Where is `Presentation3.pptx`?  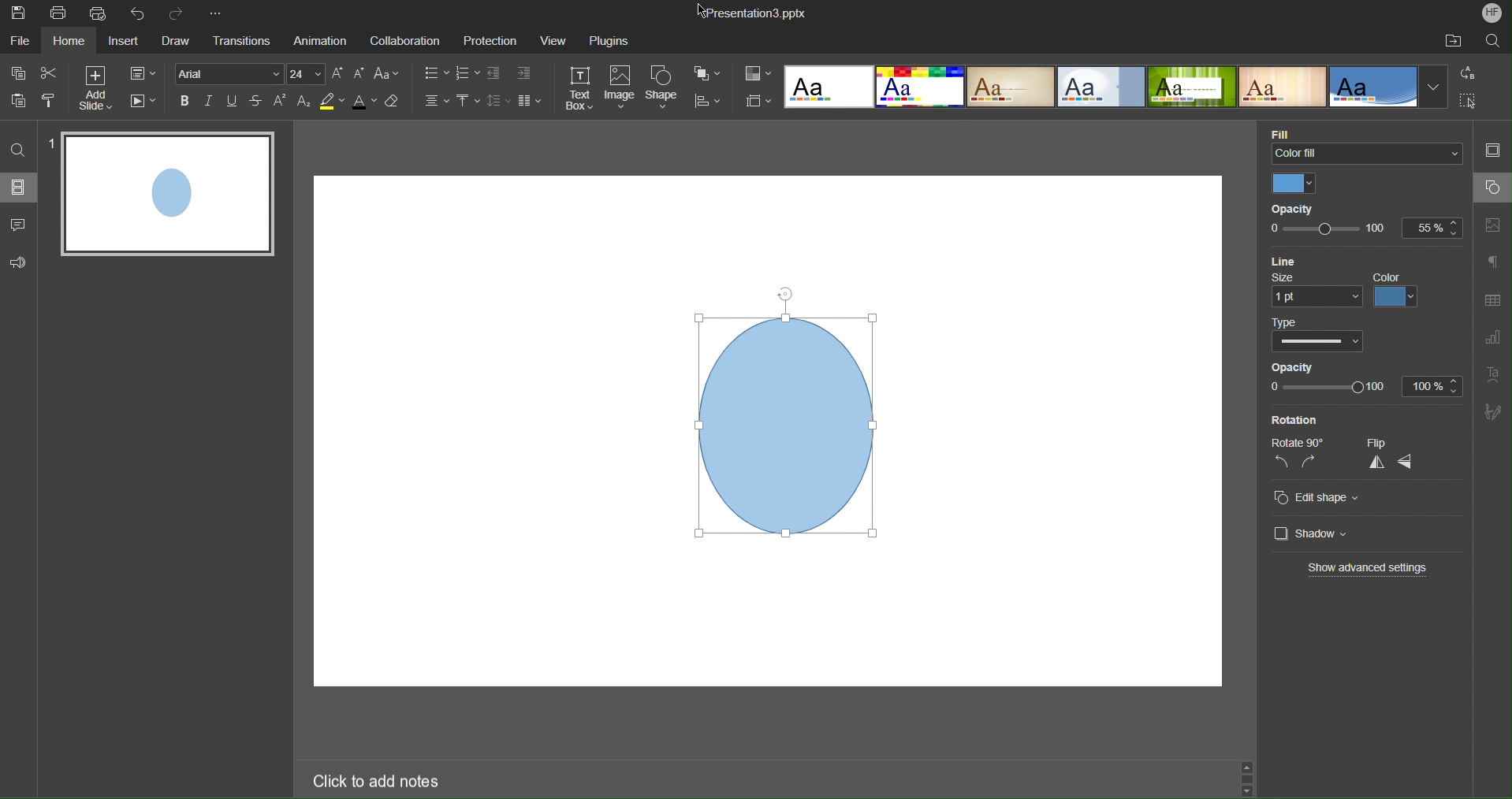 Presentation3.pptx is located at coordinates (754, 13).